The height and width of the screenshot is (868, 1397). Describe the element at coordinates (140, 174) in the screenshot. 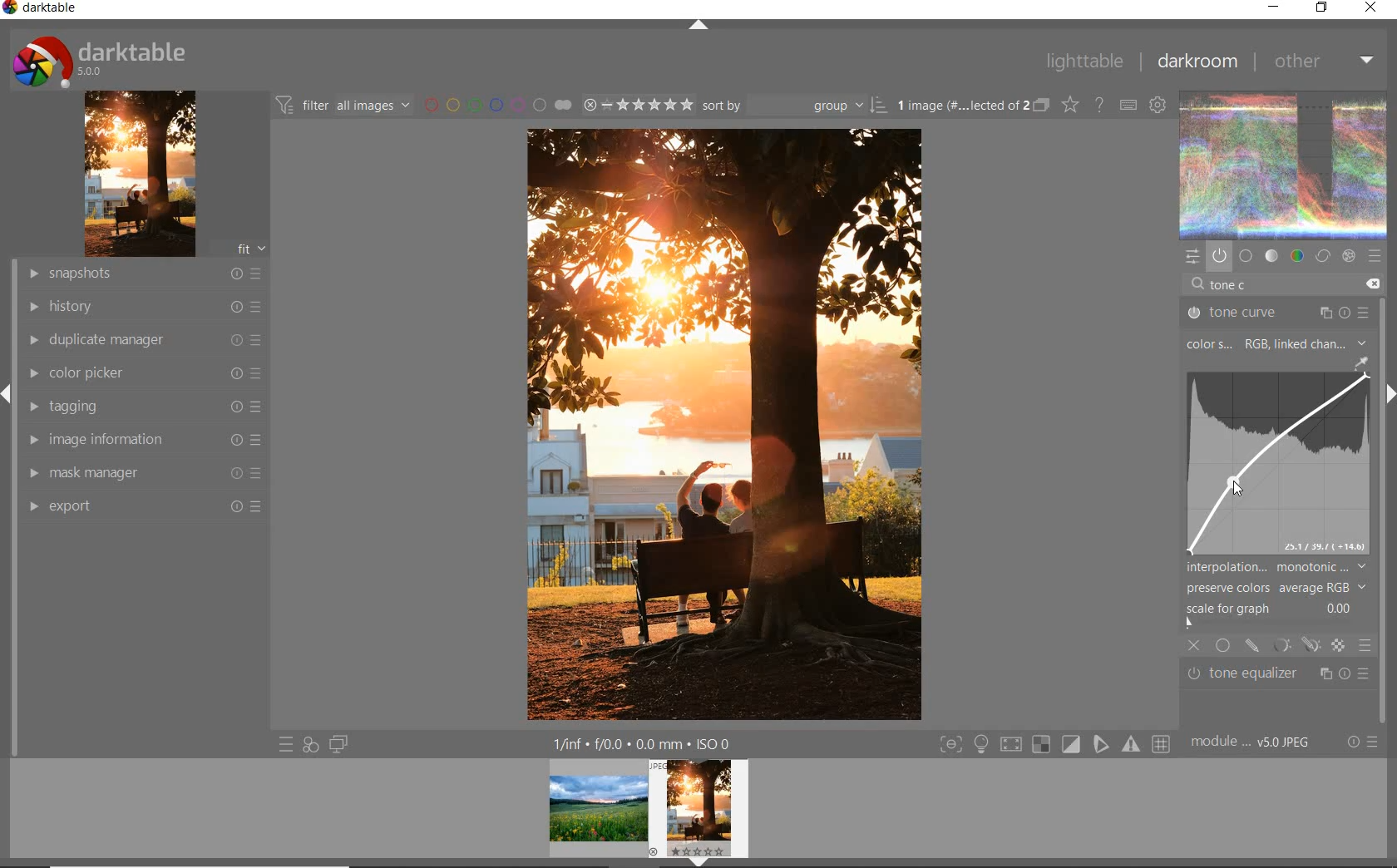

I see `image` at that location.